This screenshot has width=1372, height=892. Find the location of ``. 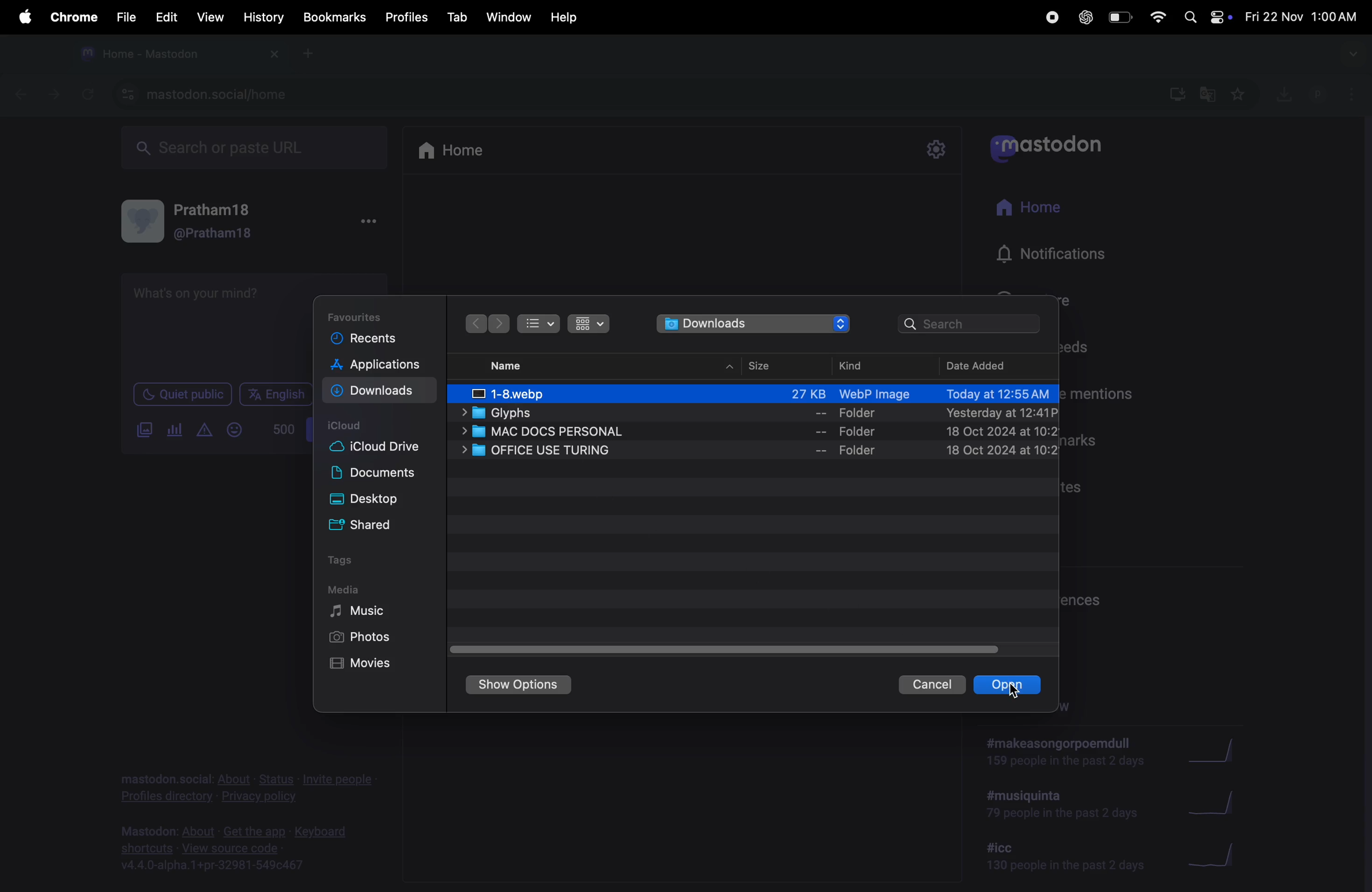

 is located at coordinates (404, 19).